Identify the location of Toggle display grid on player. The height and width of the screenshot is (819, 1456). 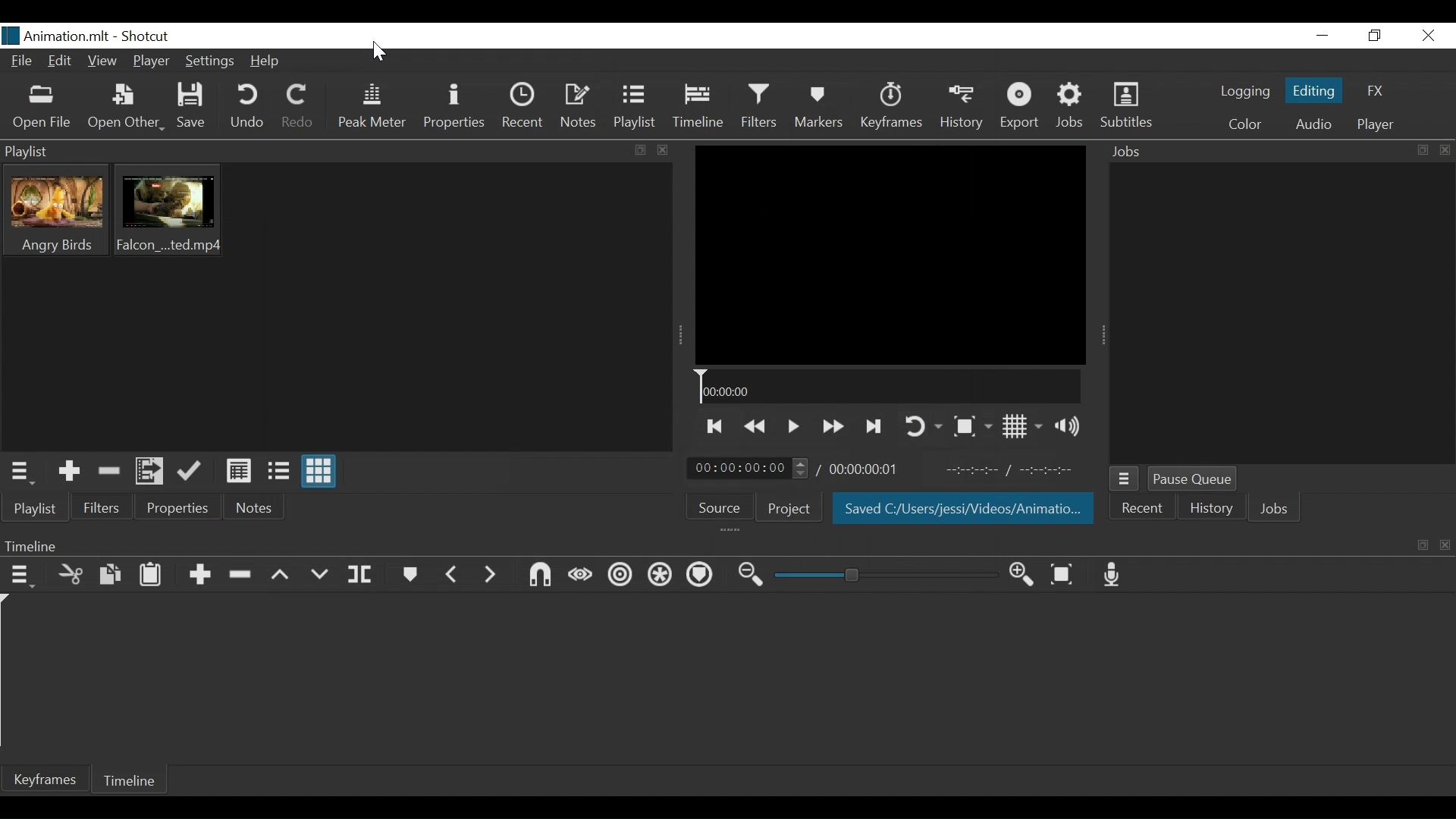
(1023, 426).